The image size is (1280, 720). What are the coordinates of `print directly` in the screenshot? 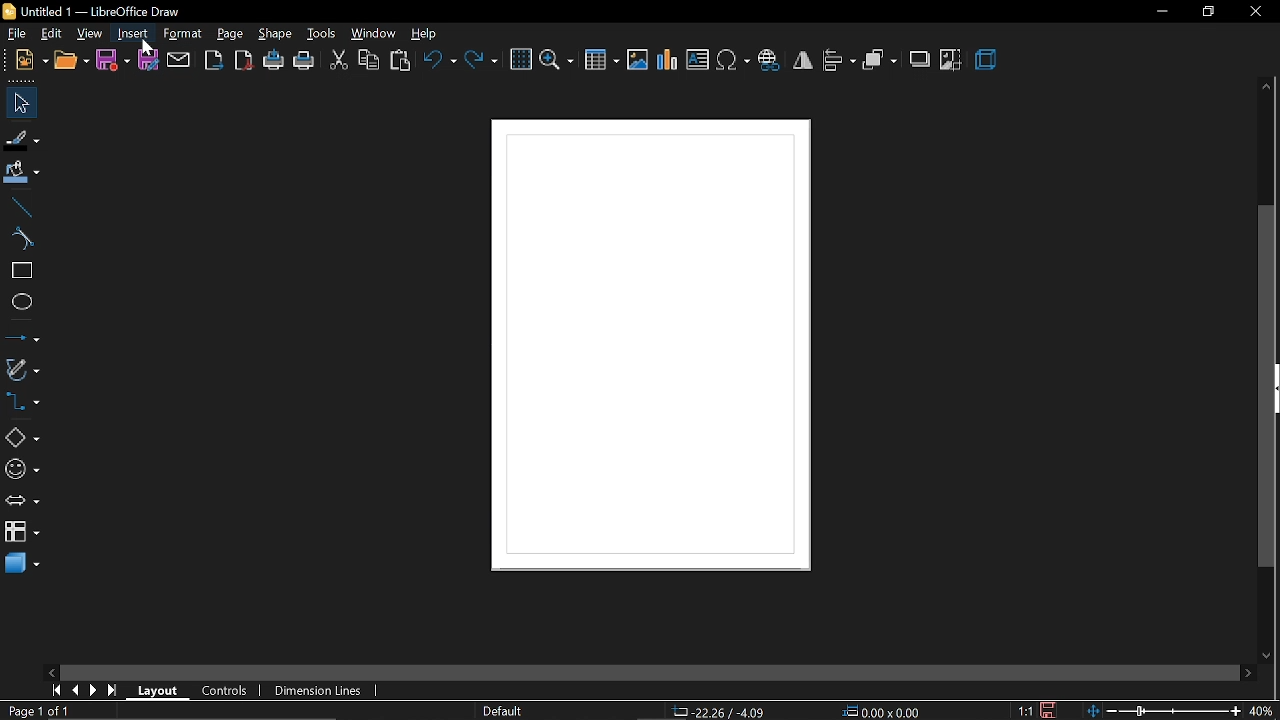 It's located at (272, 61).